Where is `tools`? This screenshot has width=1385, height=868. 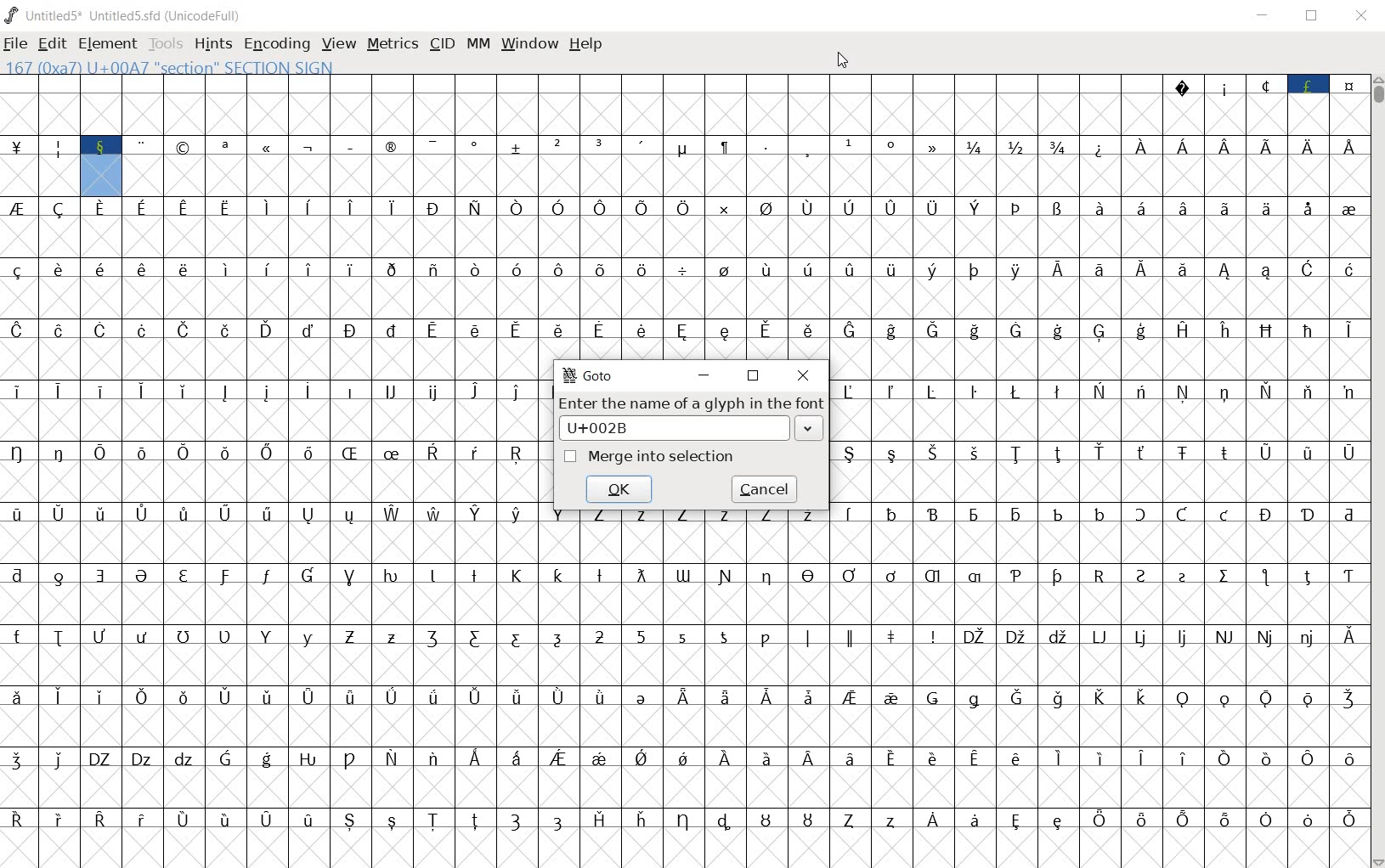
tools is located at coordinates (164, 42).